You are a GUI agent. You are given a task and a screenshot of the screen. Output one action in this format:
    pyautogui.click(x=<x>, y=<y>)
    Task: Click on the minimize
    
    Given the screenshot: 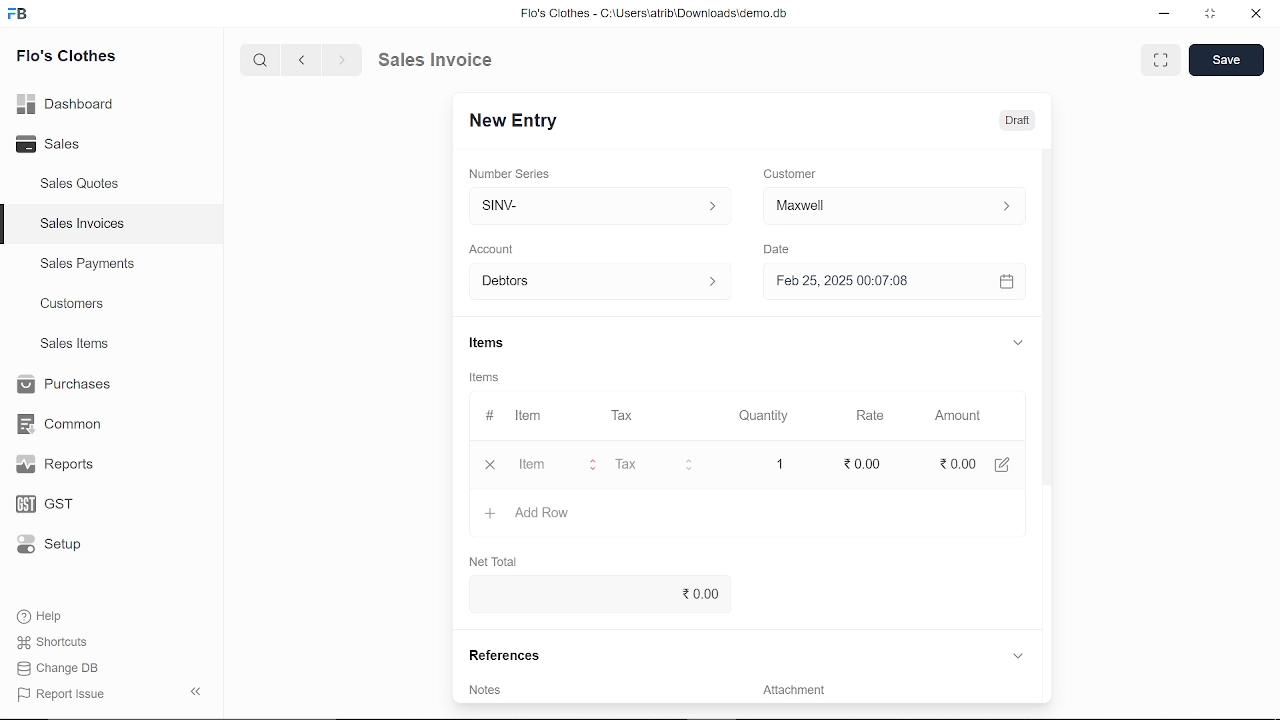 What is the action you would take?
    pyautogui.click(x=1165, y=16)
    